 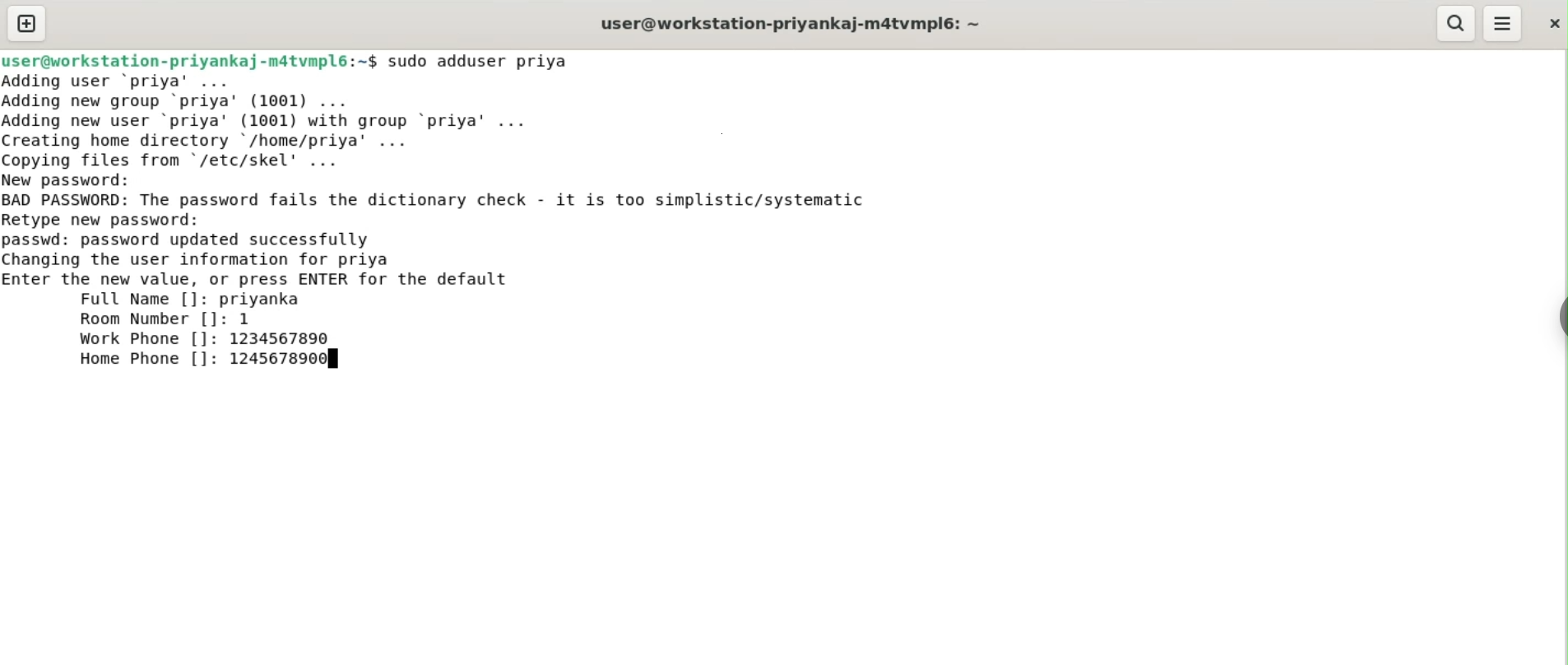 What do you see at coordinates (1503, 24) in the screenshot?
I see `menu` at bounding box center [1503, 24].